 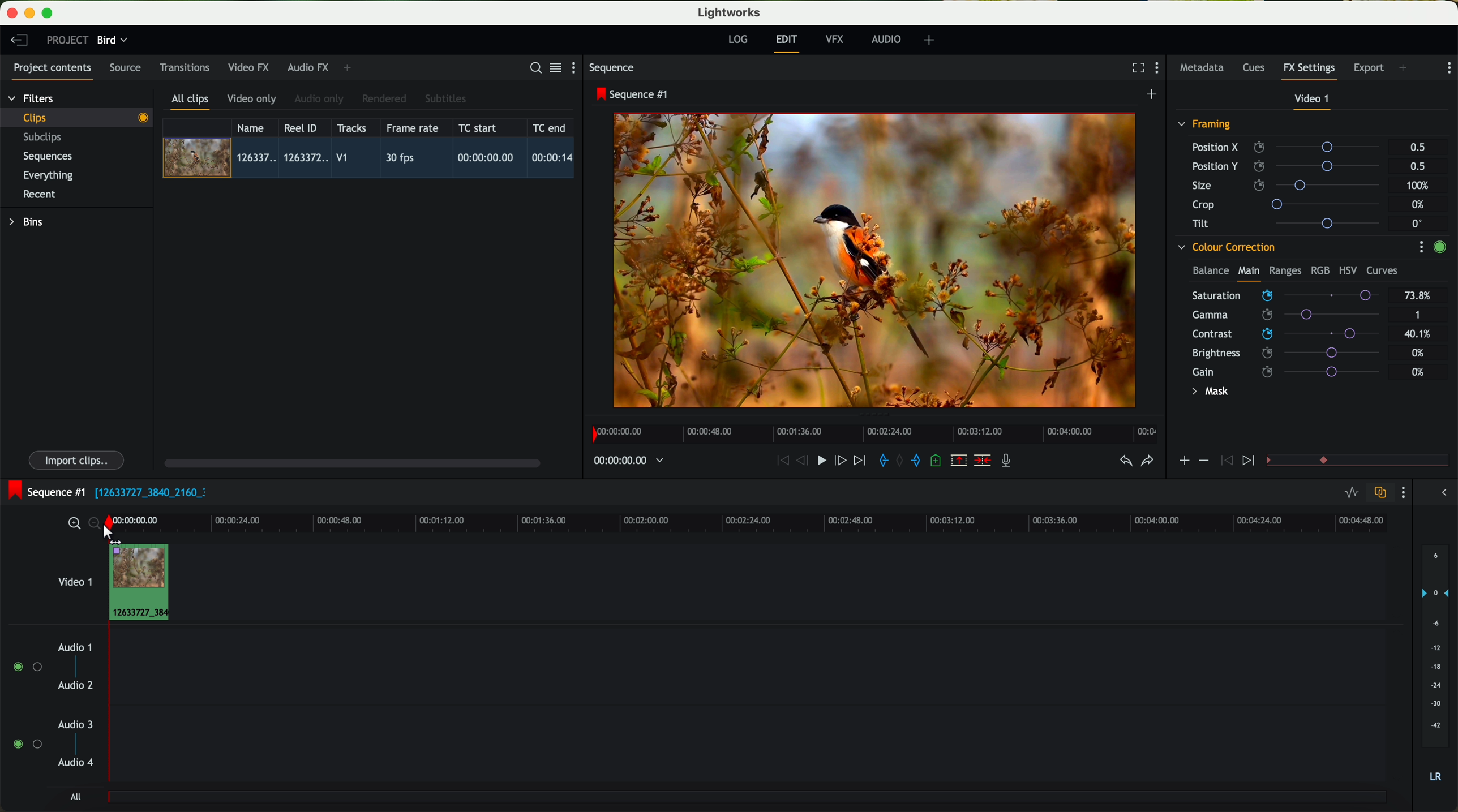 What do you see at coordinates (1439, 248) in the screenshot?
I see `enable` at bounding box center [1439, 248].